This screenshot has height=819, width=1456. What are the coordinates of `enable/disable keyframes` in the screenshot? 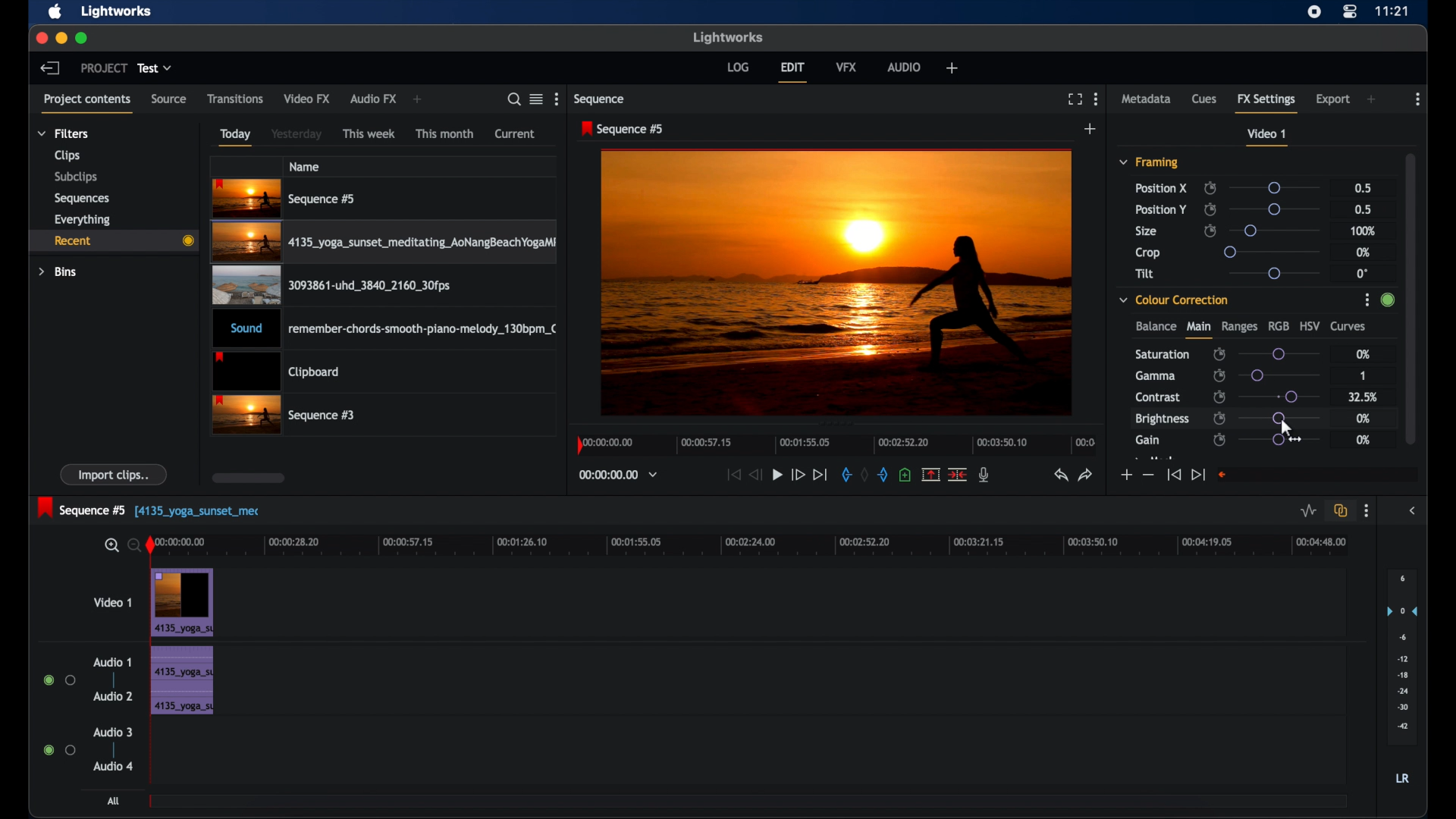 It's located at (1219, 418).